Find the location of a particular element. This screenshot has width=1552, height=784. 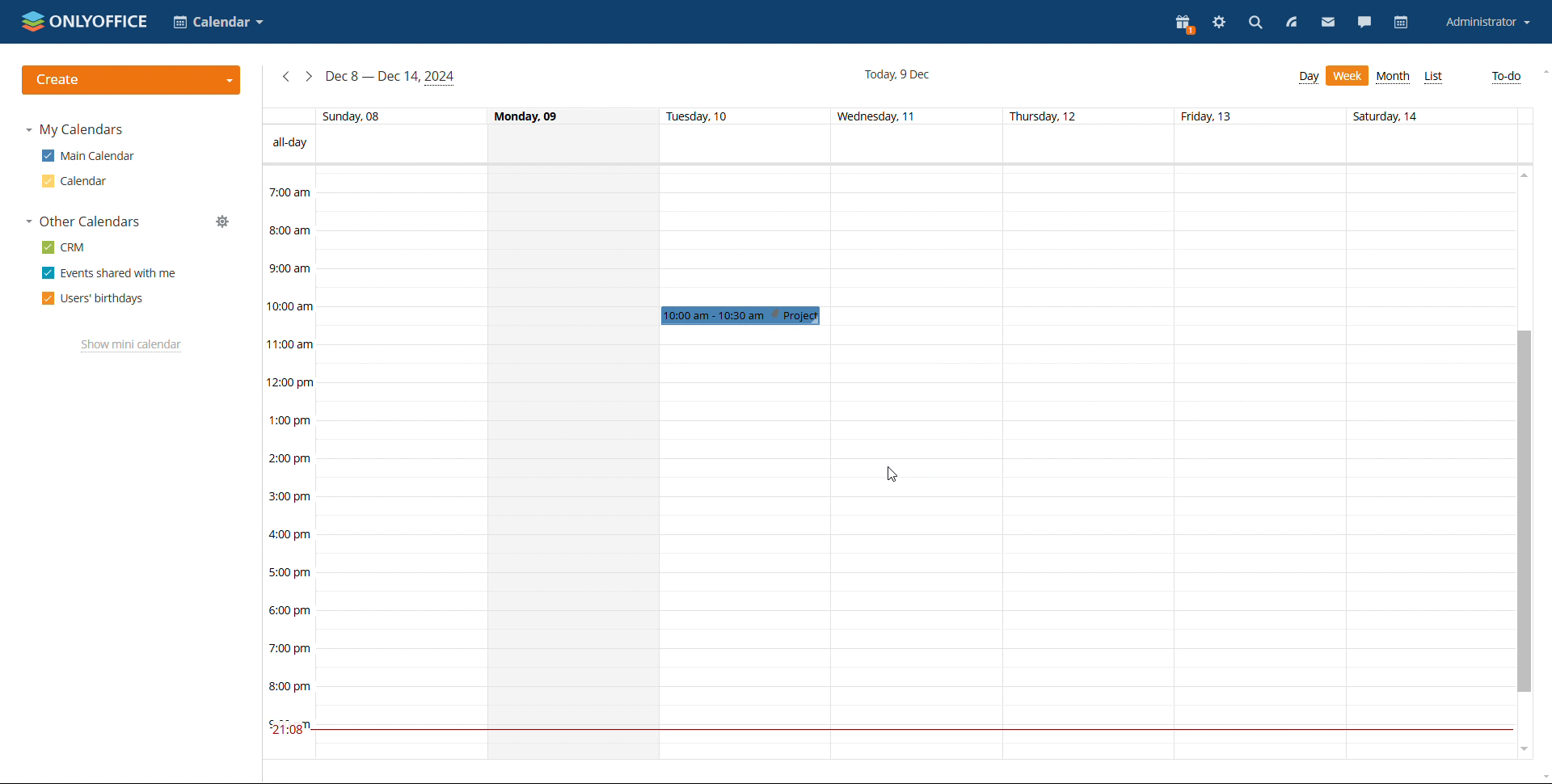

calendar is located at coordinates (72, 181).